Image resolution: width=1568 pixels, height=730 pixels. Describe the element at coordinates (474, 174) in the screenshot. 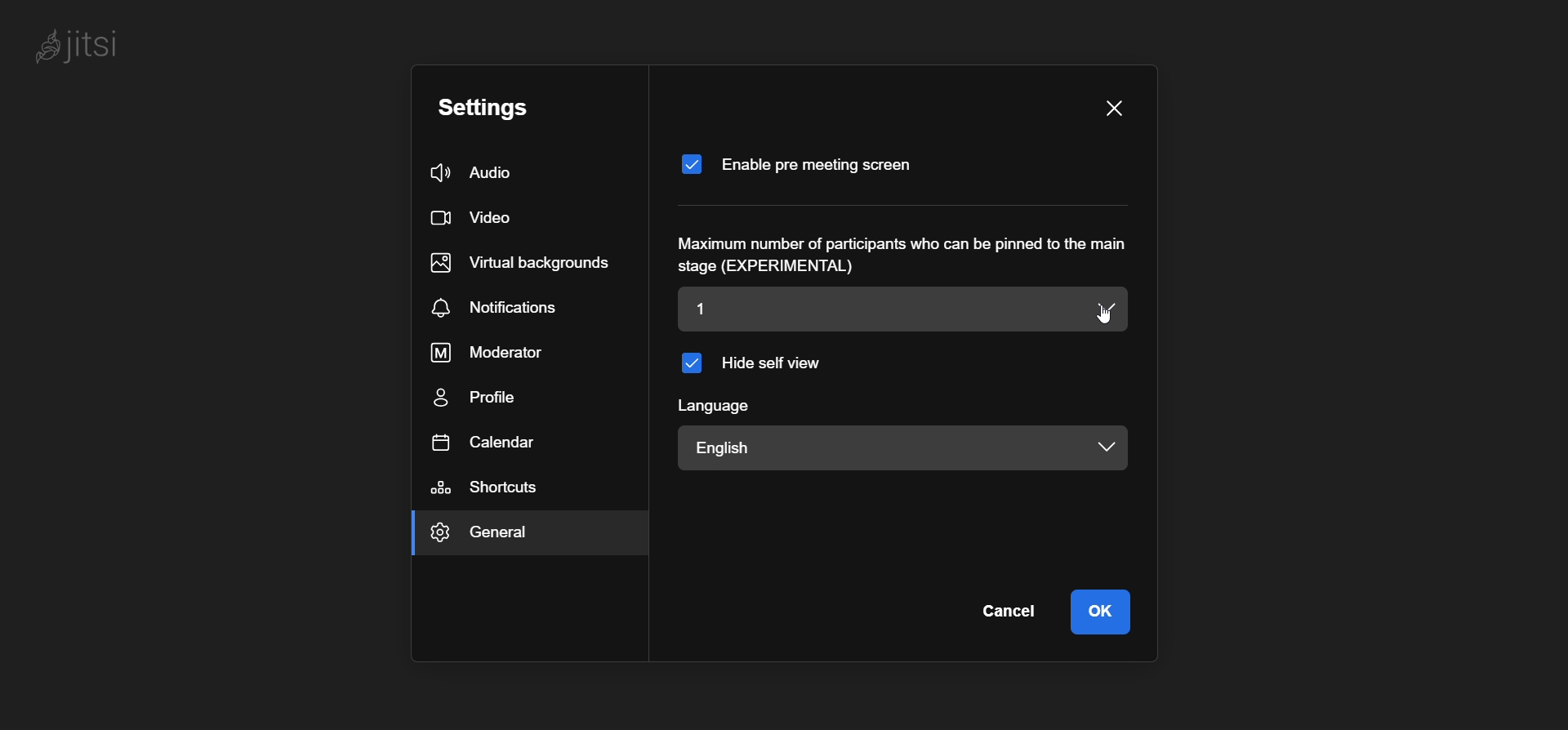

I see `audio` at that location.